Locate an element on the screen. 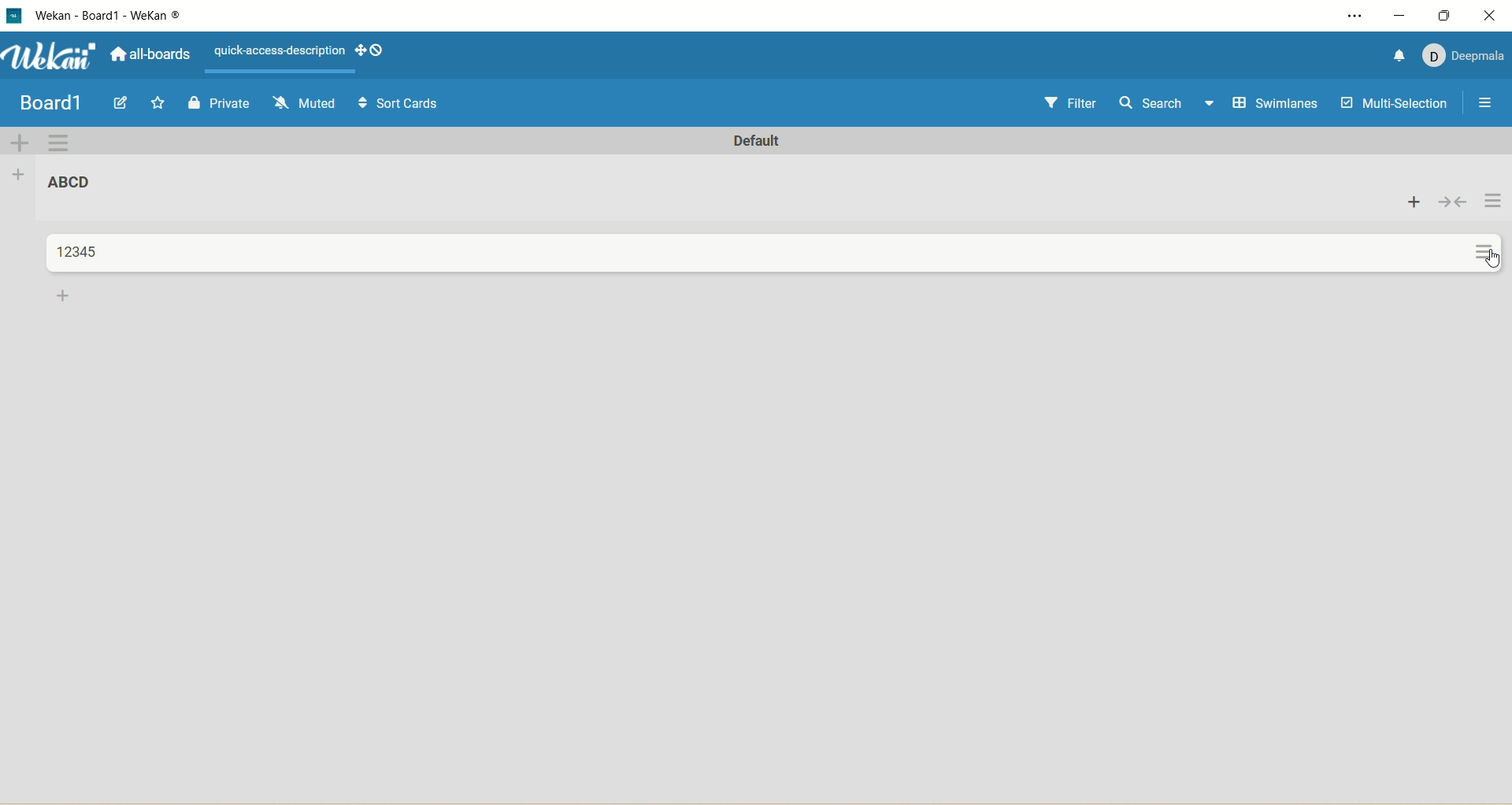 Image resolution: width=1512 pixels, height=805 pixels. multi-selection is located at coordinates (1395, 106).